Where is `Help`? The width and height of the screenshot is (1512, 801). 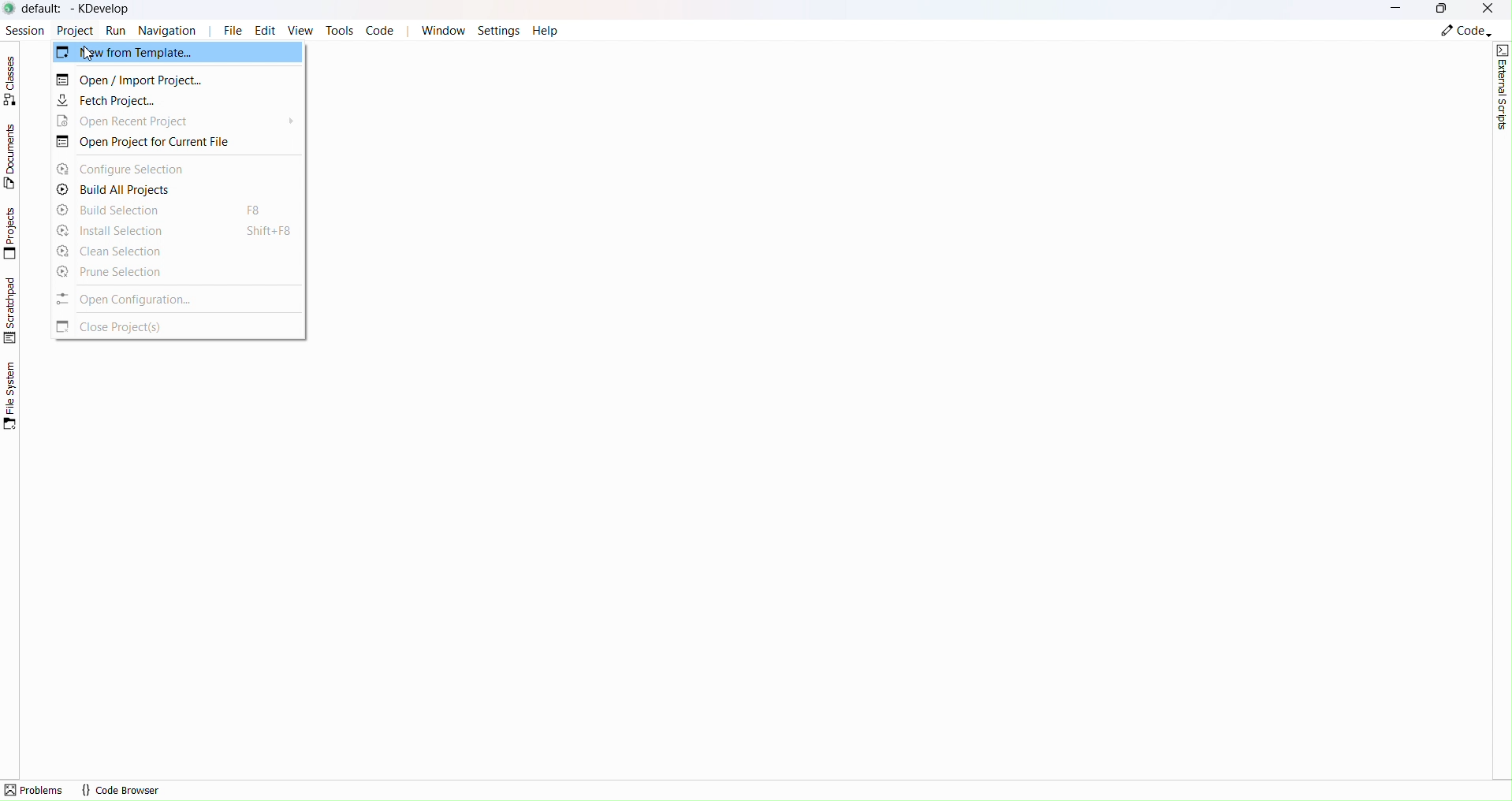
Help is located at coordinates (545, 30).